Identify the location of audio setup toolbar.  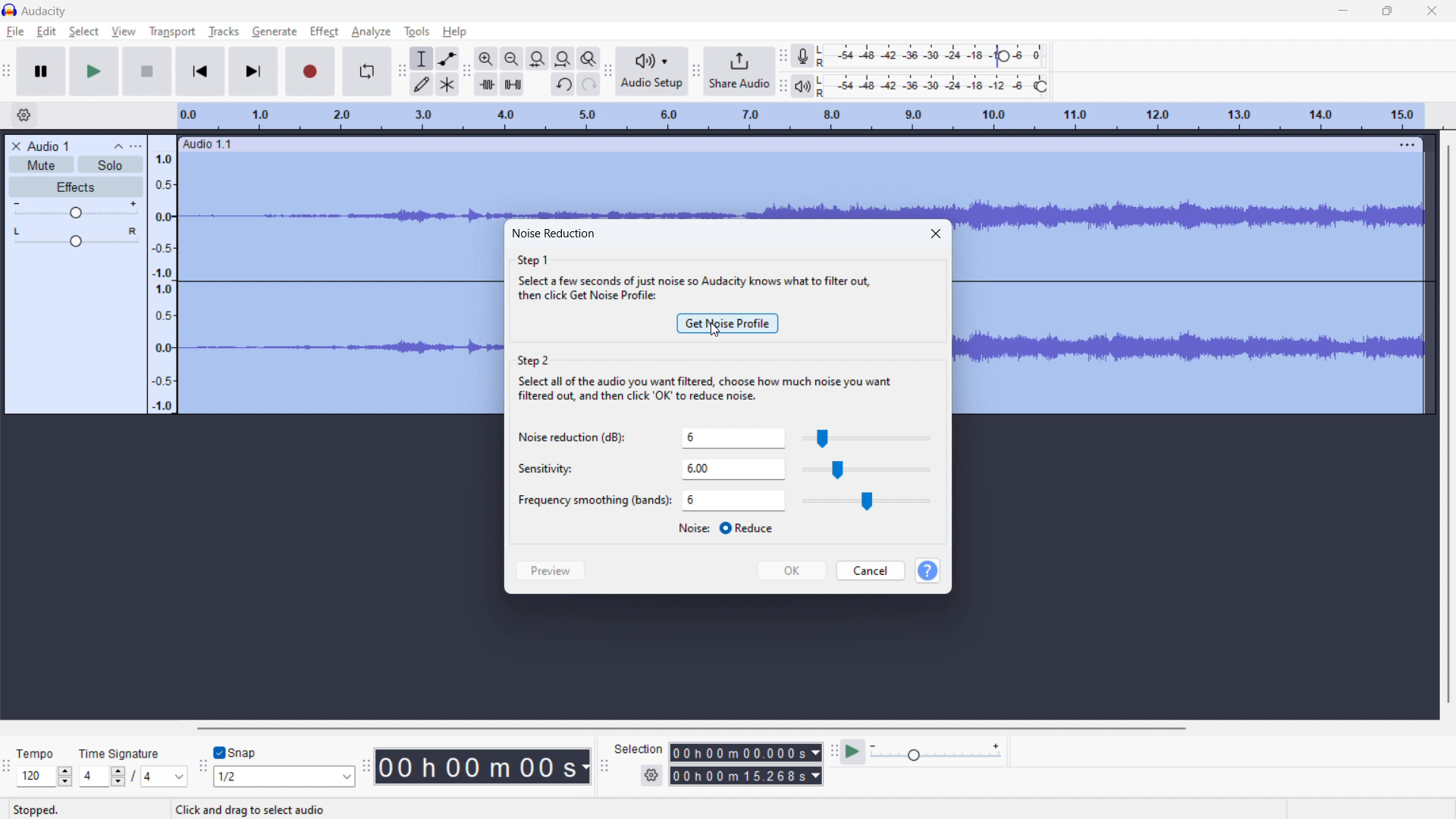
(607, 71).